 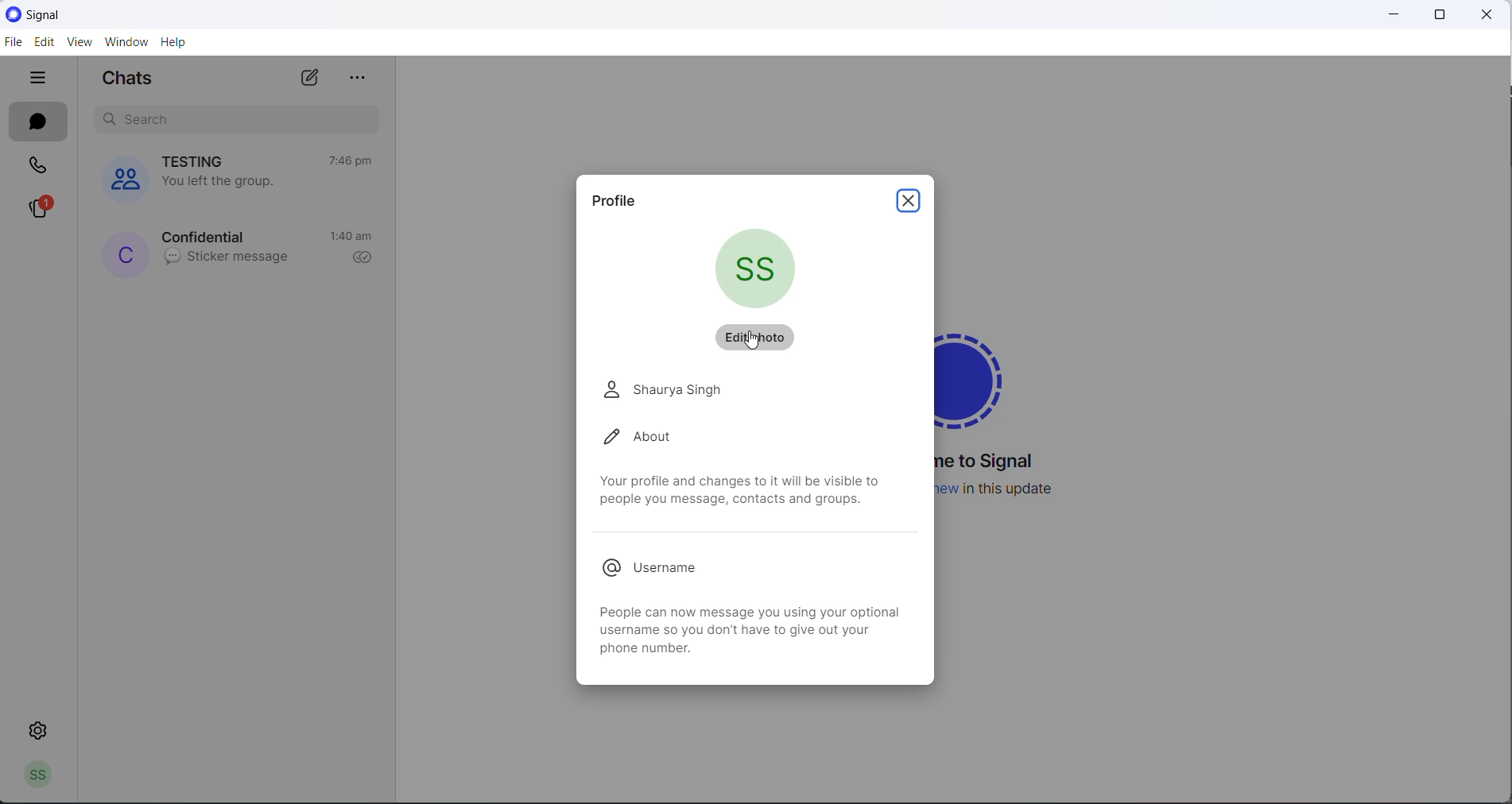 What do you see at coordinates (758, 337) in the screenshot?
I see `edit photo` at bounding box center [758, 337].